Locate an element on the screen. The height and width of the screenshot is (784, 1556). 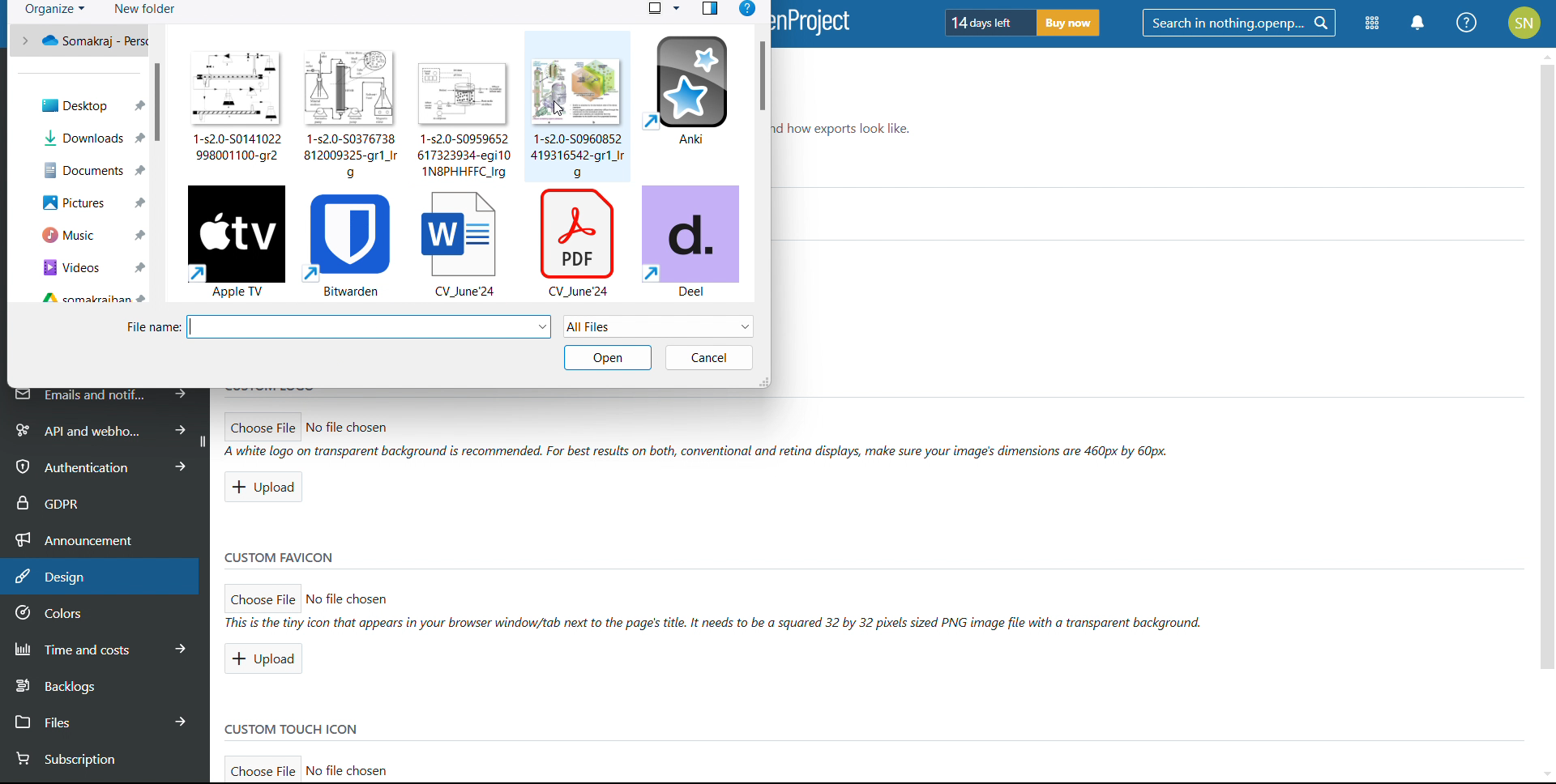
cancel is located at coordinates (710, 357).